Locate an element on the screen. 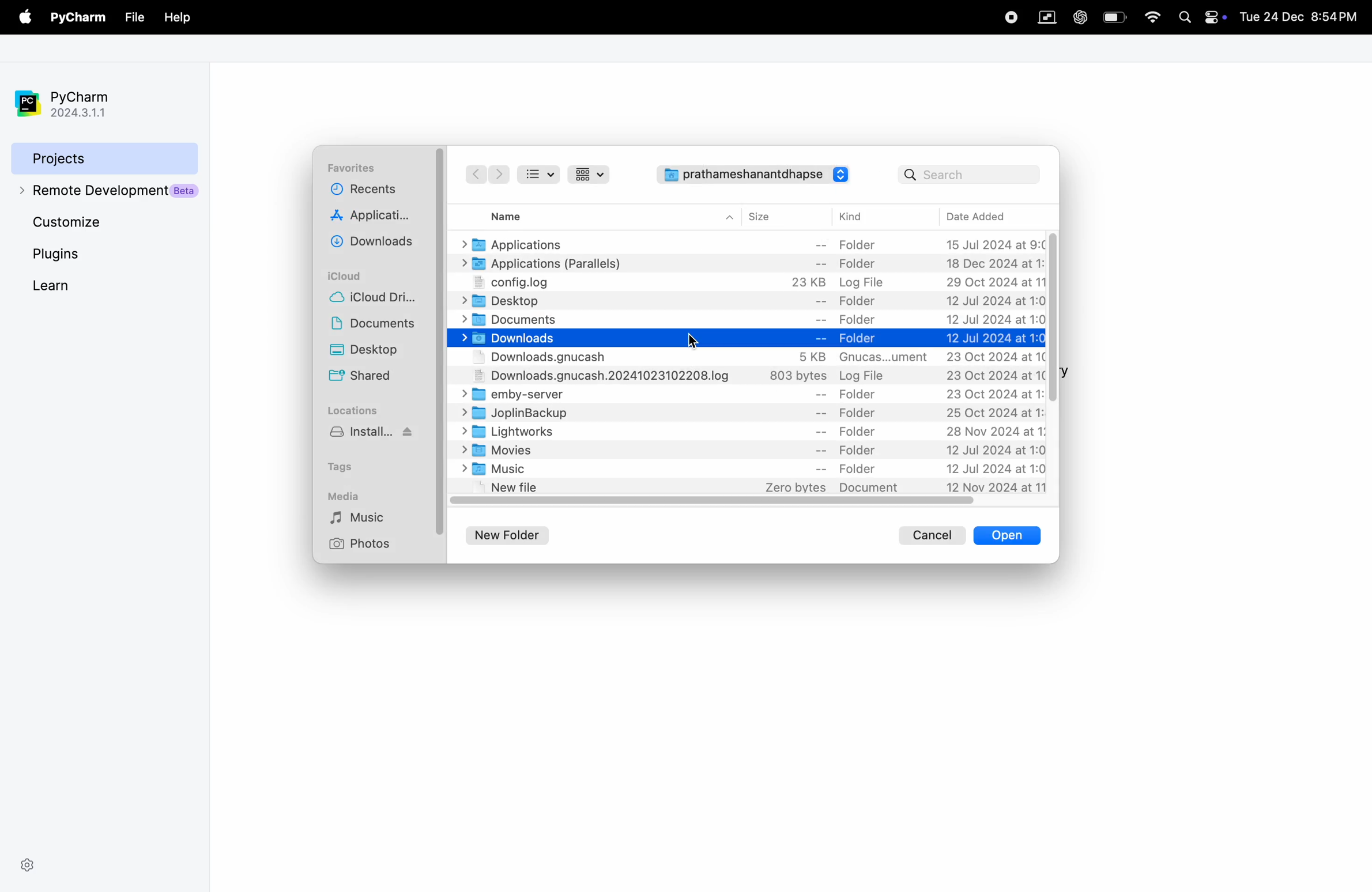 The height and width of the screenshot is (892, 1372). icloud is located at coordinates (350, 275).